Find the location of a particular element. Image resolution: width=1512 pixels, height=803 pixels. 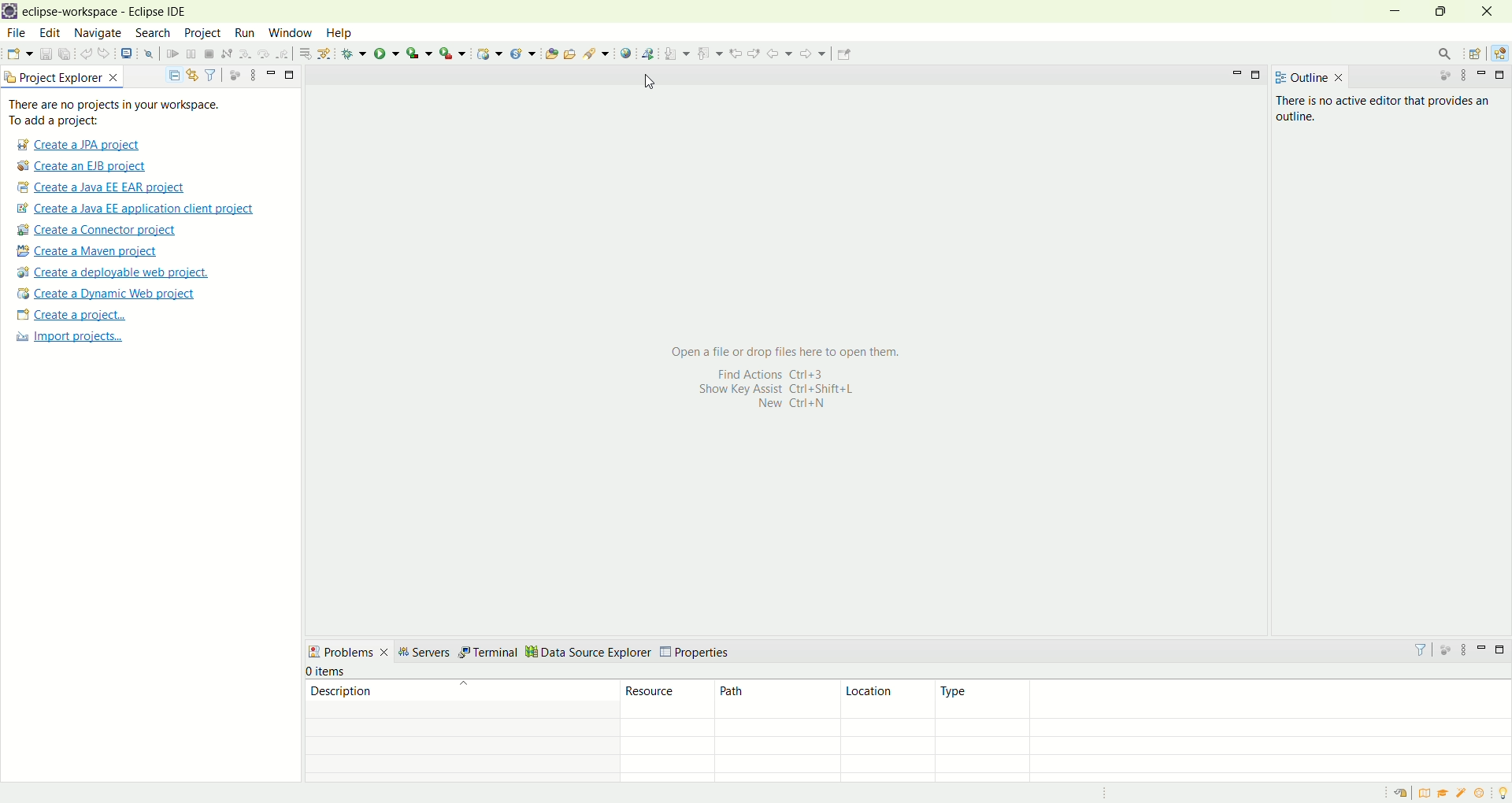

next annotation is located at coordinates (677, 53).